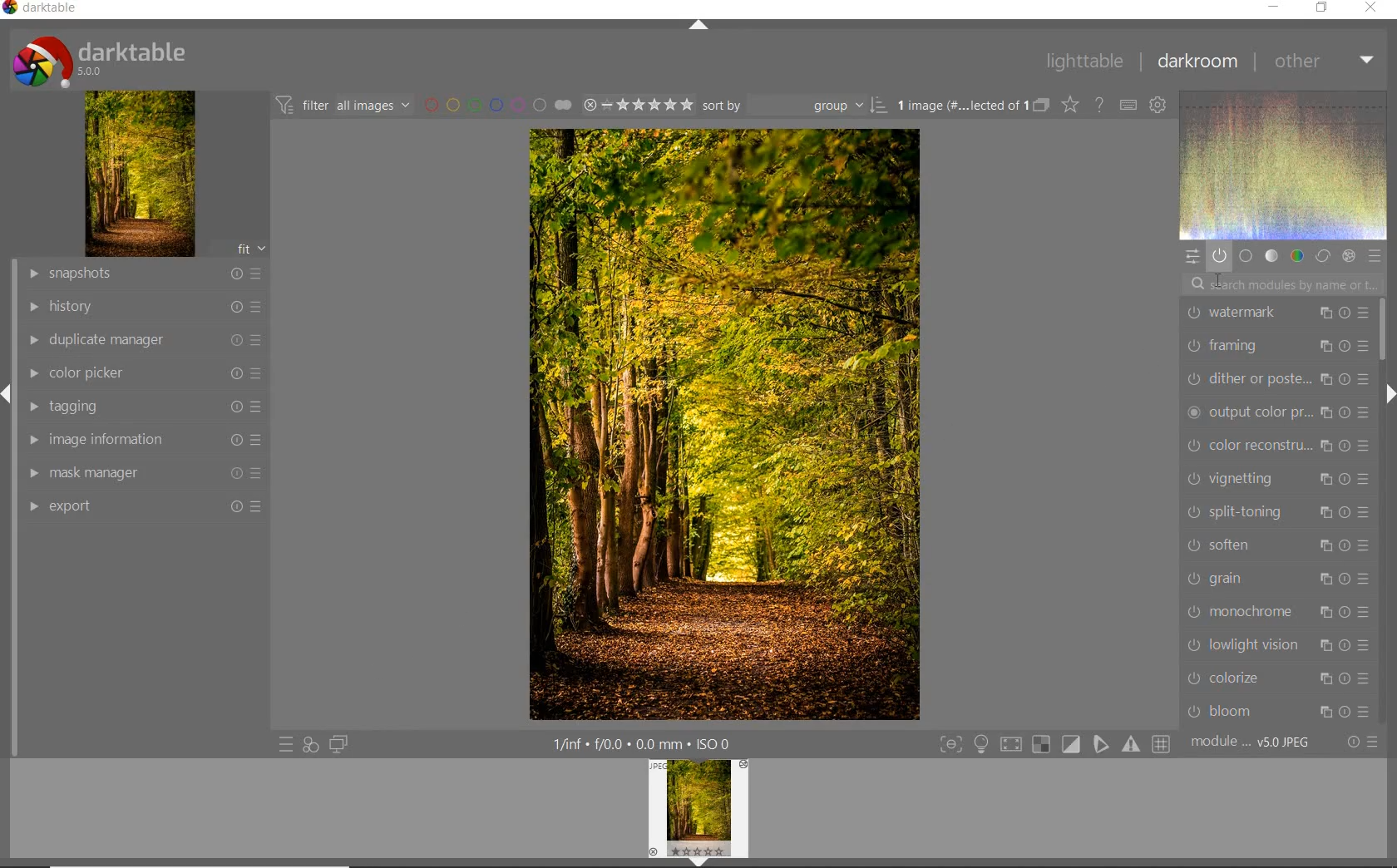 The image size is (1397, 868). Describe the element at coordinates (285, 742) in the screenshot. I see `quick access to preset` at that location.